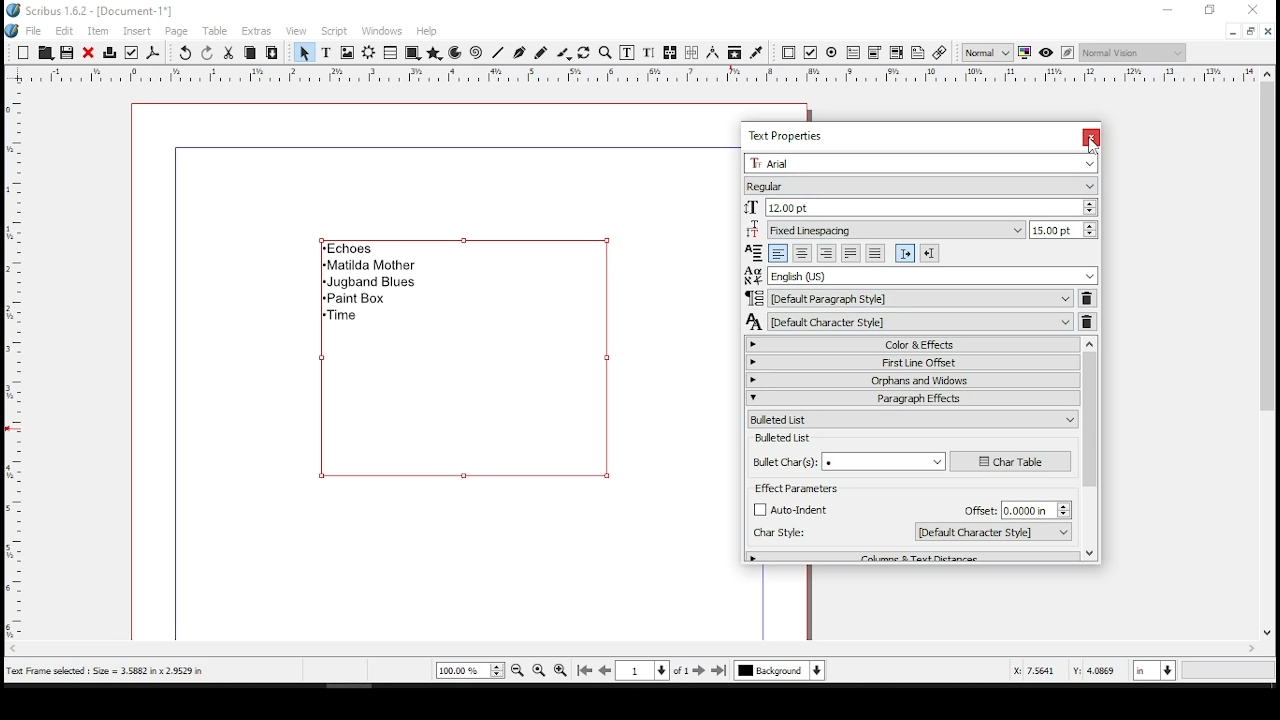 This screenshot has height=720, width=1280. I want to click on text frame selected: size = 3.5882 x 2.9529 in, so click(111, 671).